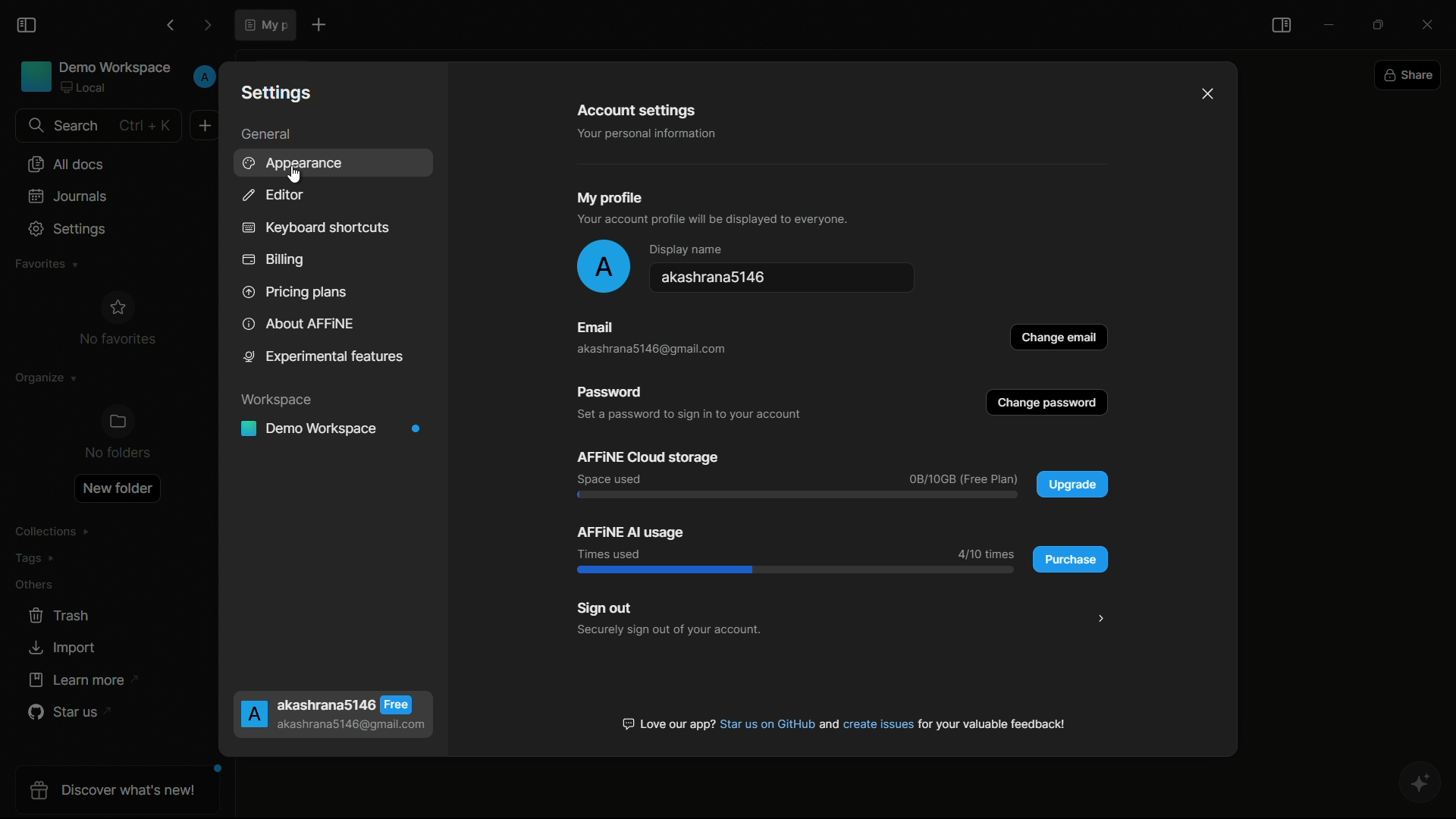 The image size is (1456, 819). What do you see at coordinates (846, 723) in the screenshot?
I see `Love our app? Star us on GitHub and create issues for your valuable feedback!` at bounding box center [846, 723].